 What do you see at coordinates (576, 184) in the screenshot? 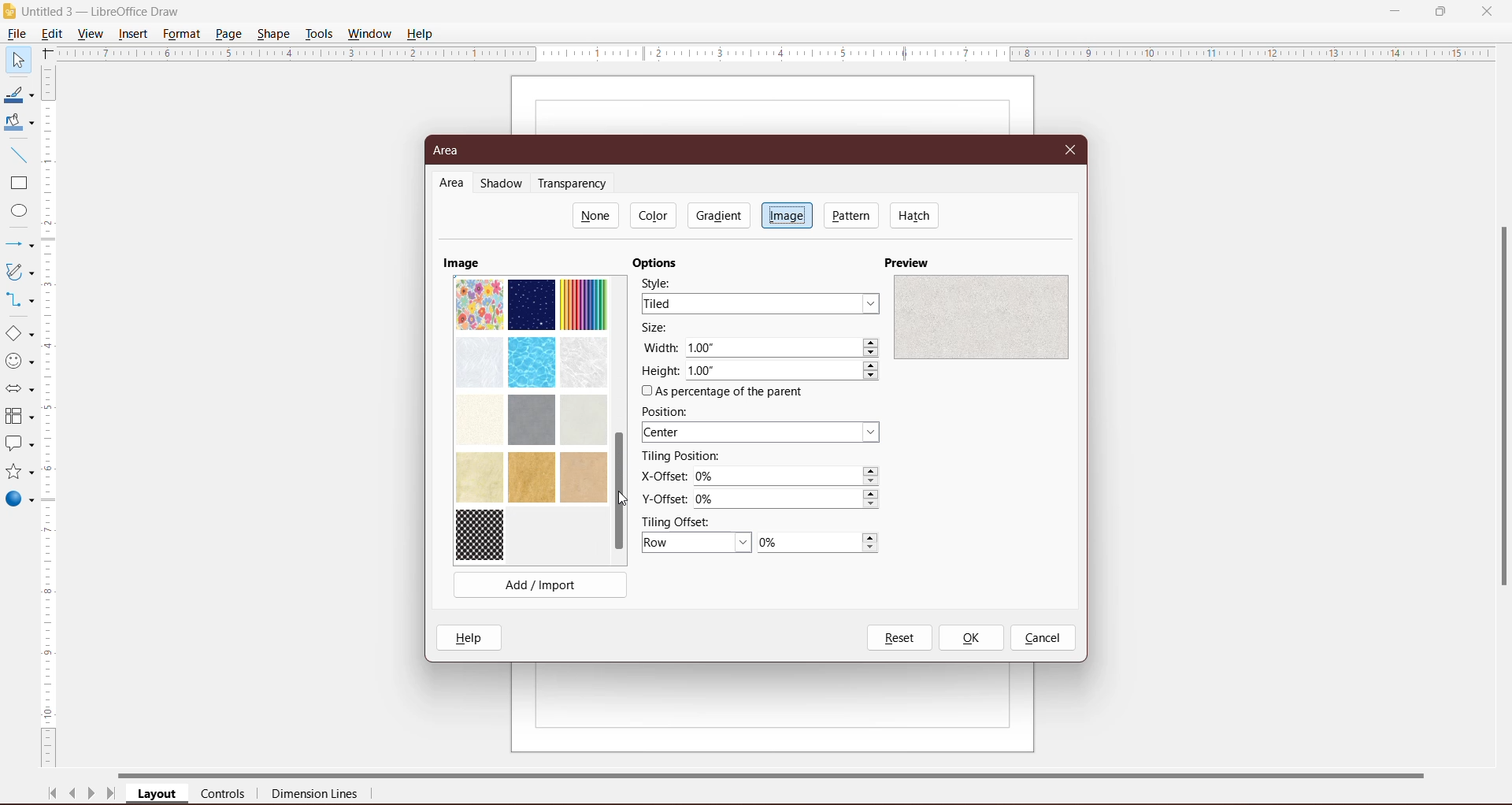
I see `Transparency` at bounding box center [576, 184].